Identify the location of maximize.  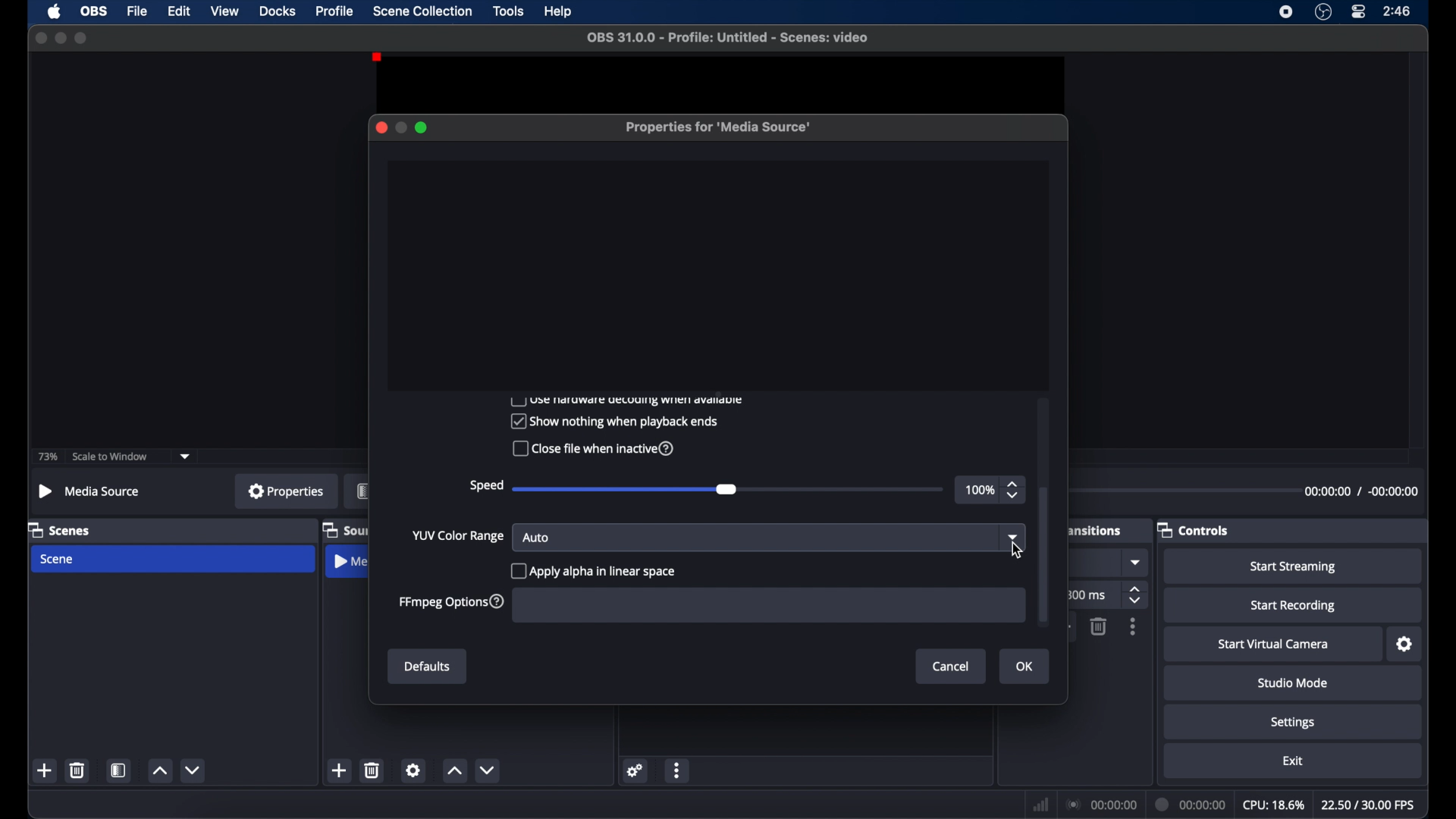
(82, 39).